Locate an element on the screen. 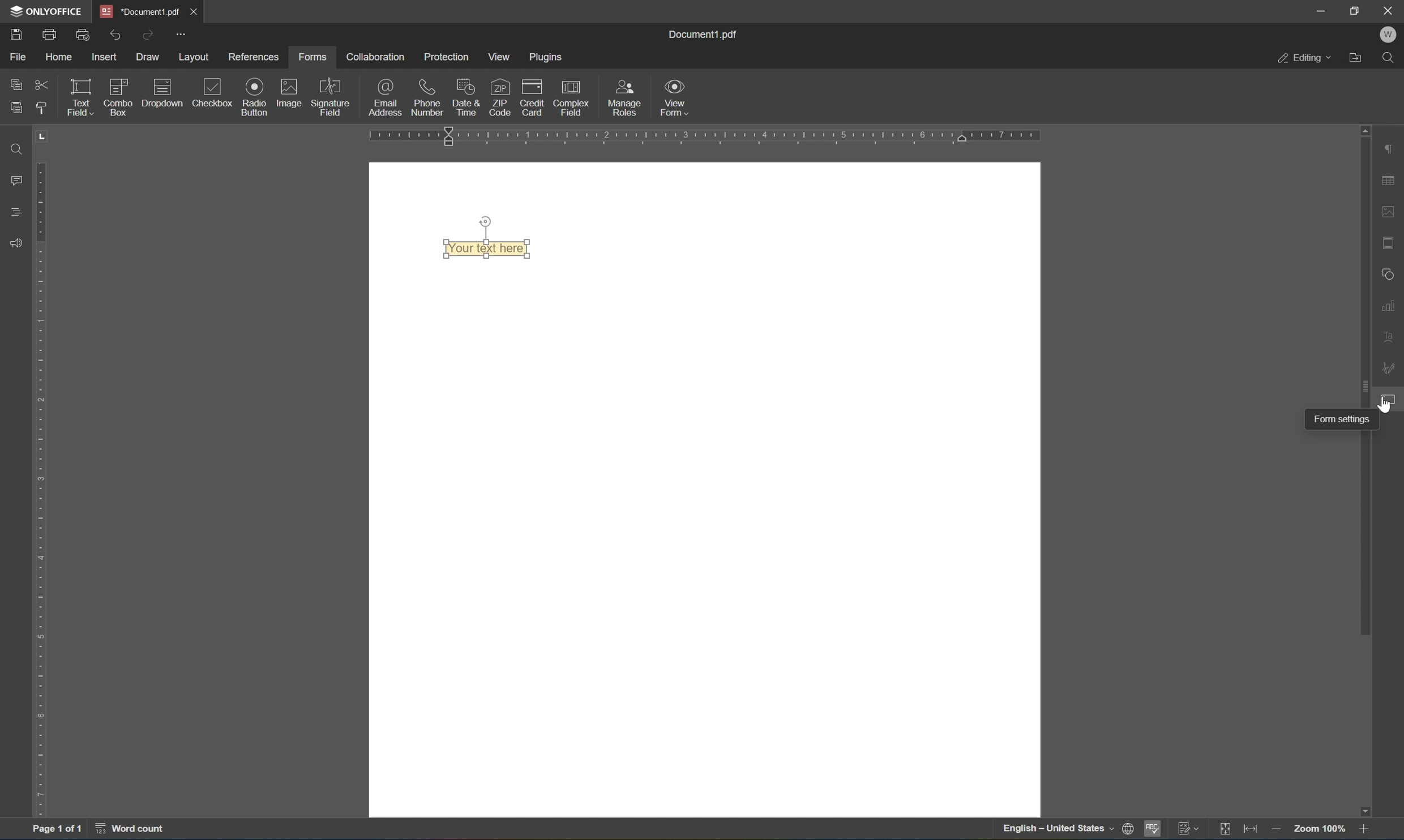 Image resolution: width=1404 pixels, height=840 pixels. protection is located at coordinates (448, 57).